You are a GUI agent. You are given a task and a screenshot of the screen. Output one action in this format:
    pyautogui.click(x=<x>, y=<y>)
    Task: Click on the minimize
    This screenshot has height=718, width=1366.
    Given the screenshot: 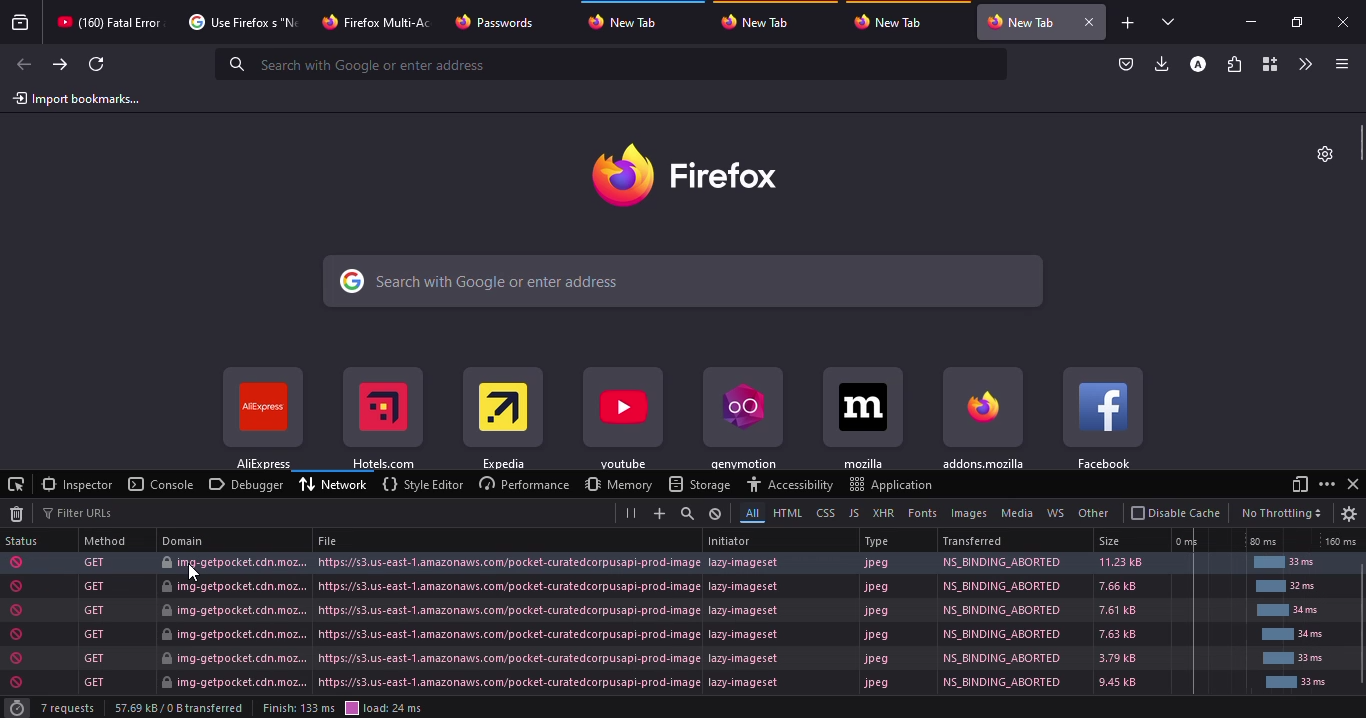 What is the action you would take?
    pyautogui.click(x=1255, y=23)
    